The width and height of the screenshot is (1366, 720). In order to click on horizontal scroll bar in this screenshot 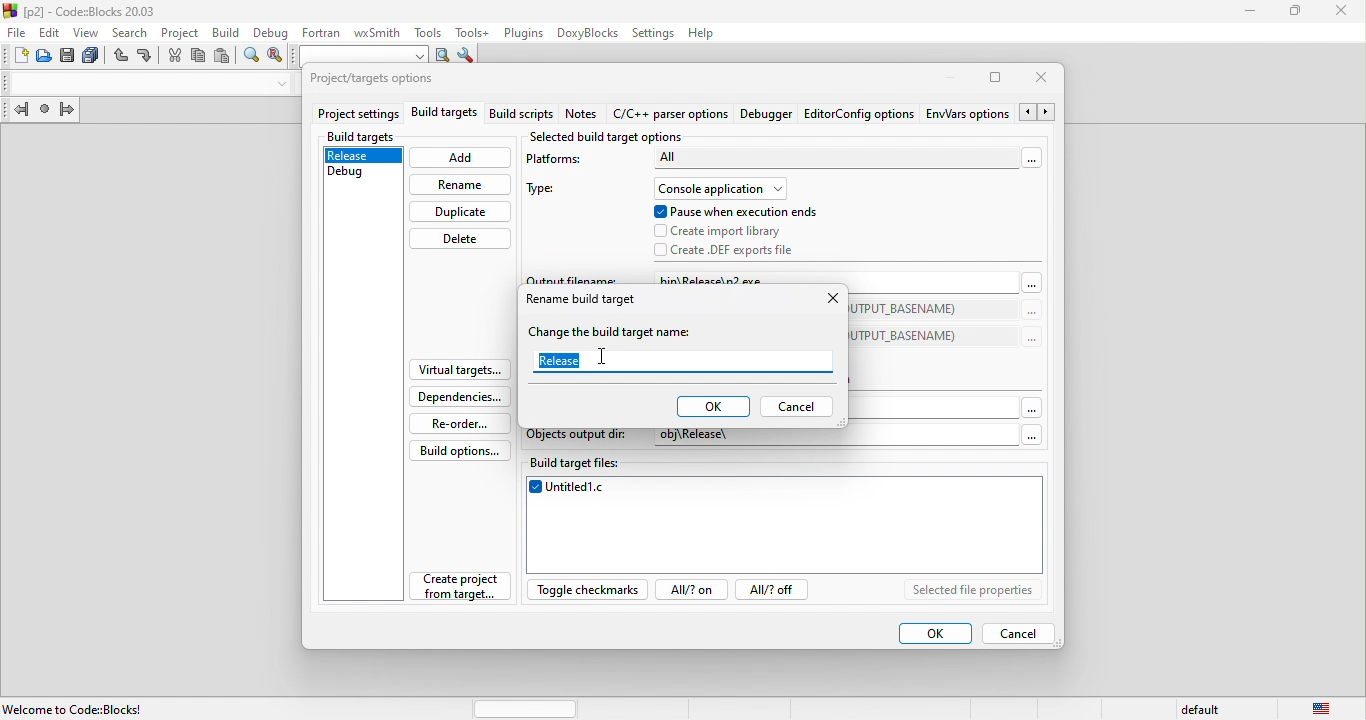, I will do `click(526, 707)`.